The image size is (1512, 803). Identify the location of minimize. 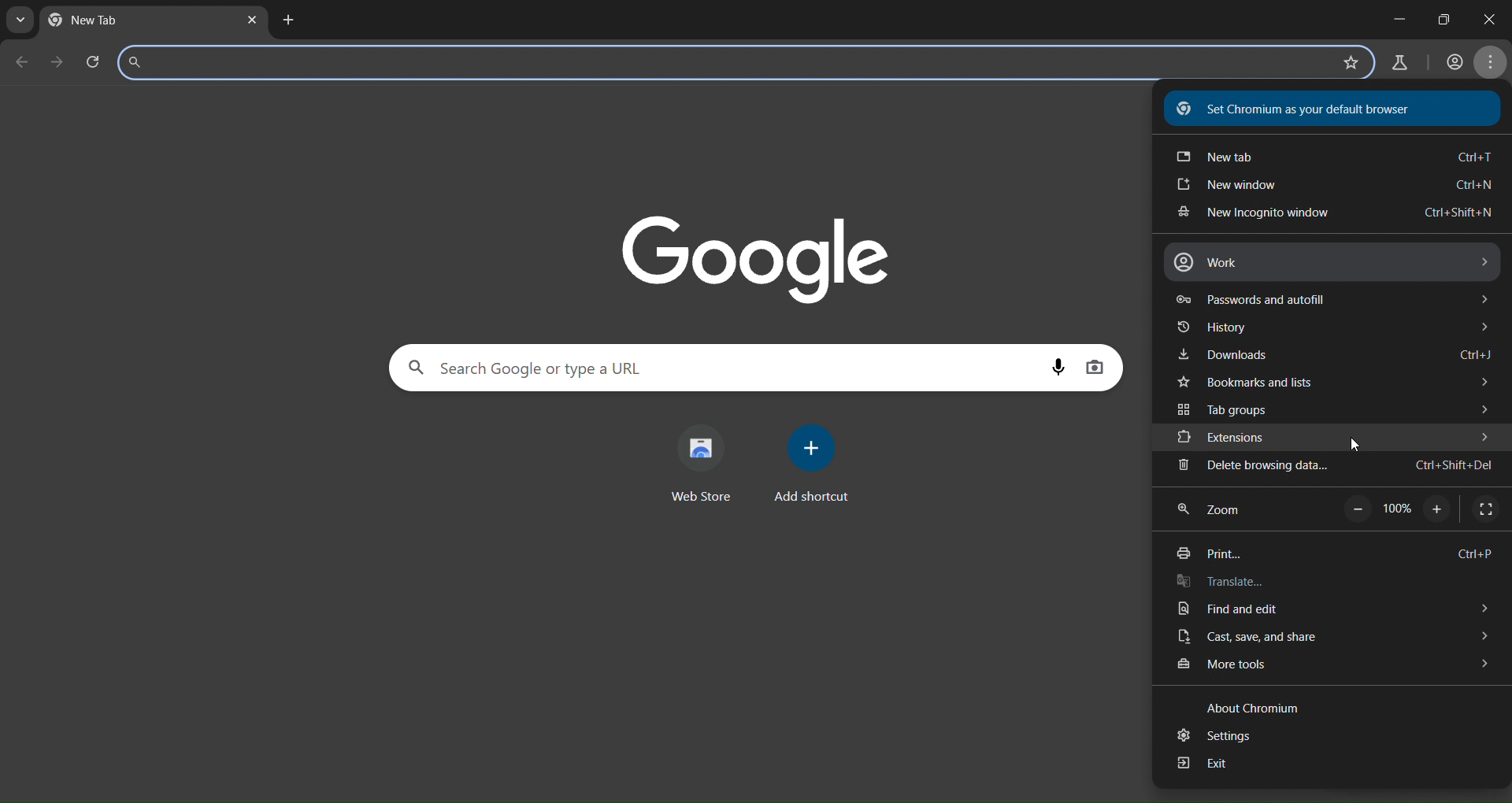
(1387, 17).